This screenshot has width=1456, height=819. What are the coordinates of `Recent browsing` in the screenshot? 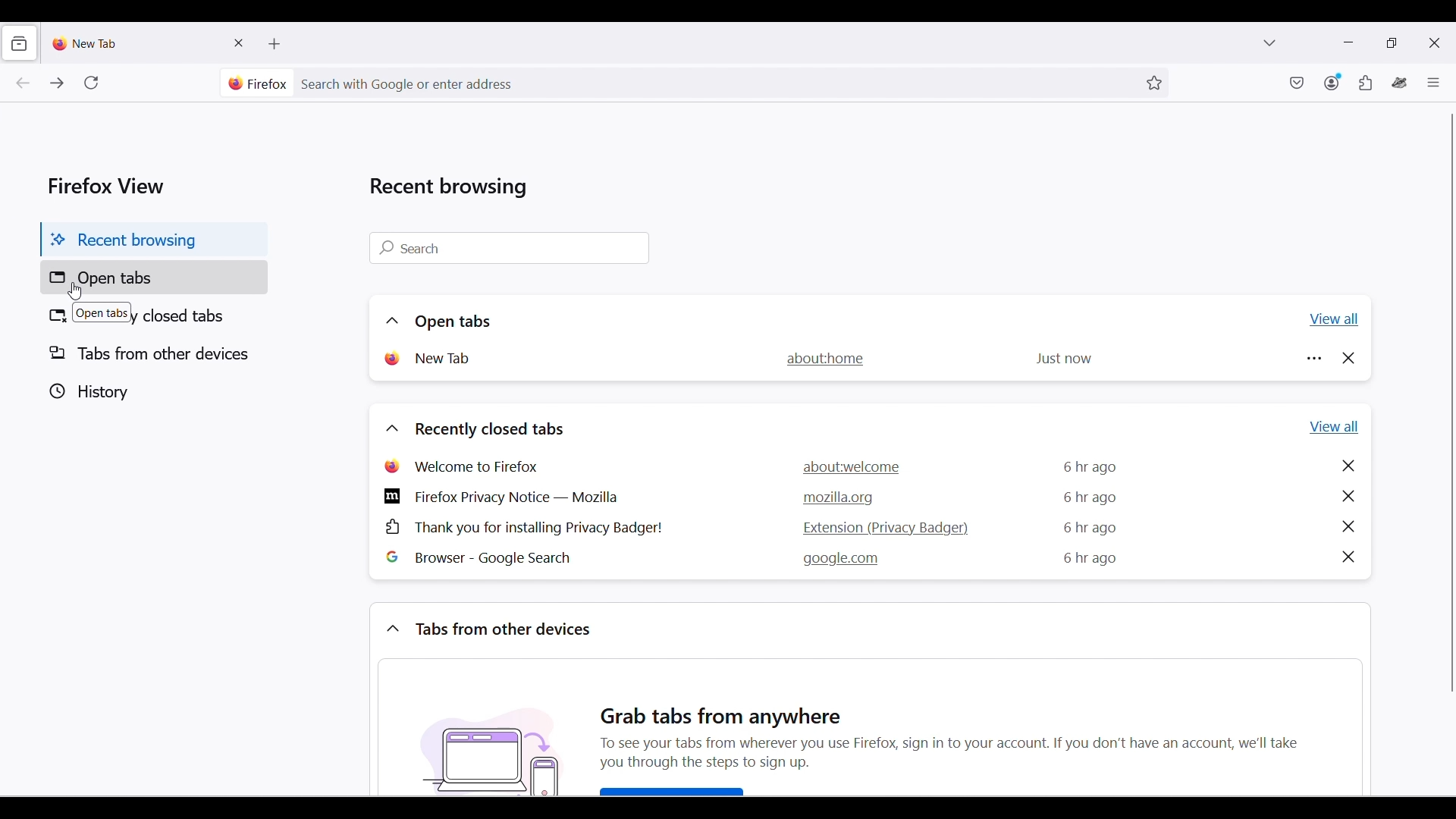 It's located at (153, 241).